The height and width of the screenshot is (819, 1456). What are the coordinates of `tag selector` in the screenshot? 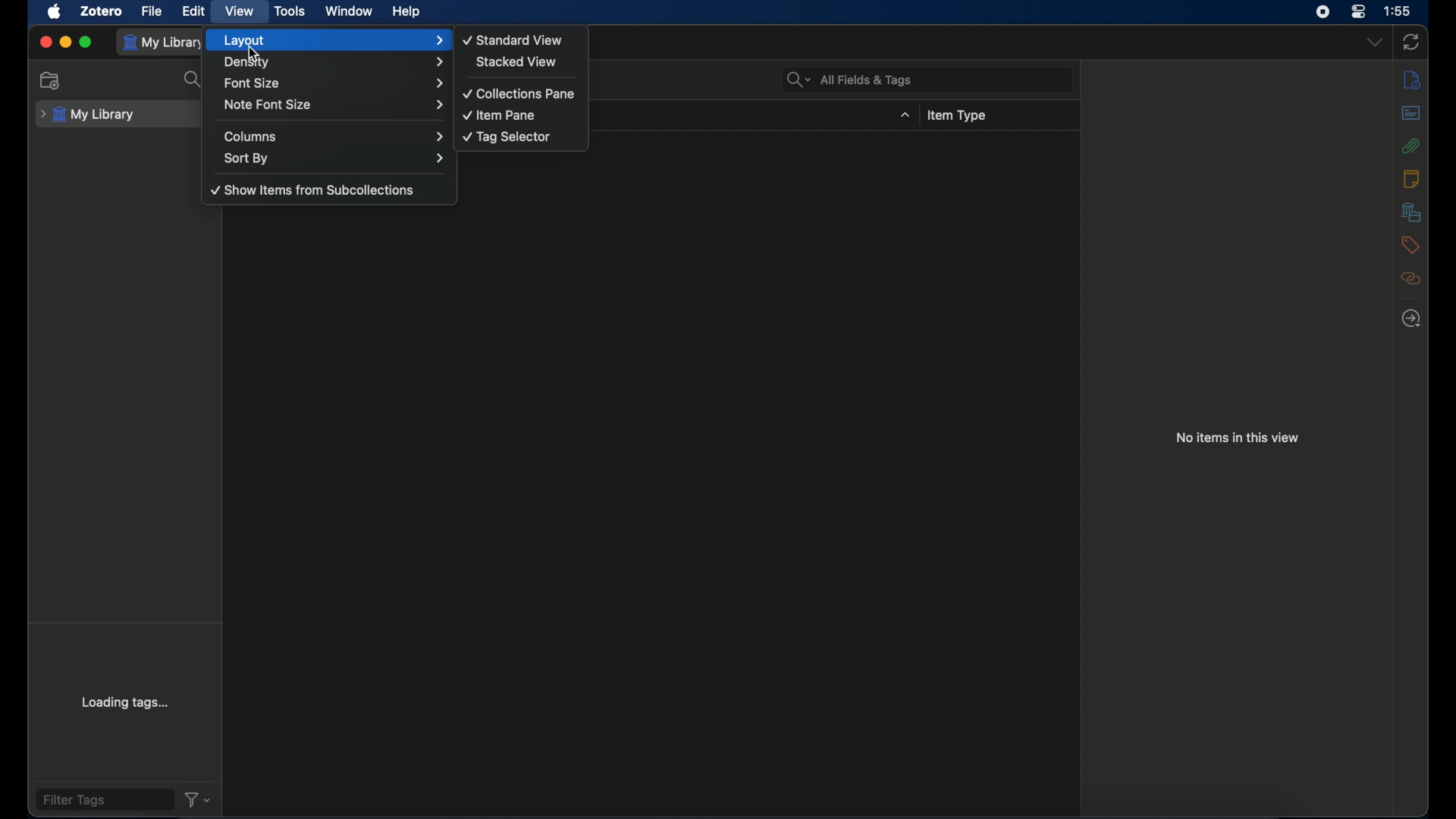 It's located at (506, 137).